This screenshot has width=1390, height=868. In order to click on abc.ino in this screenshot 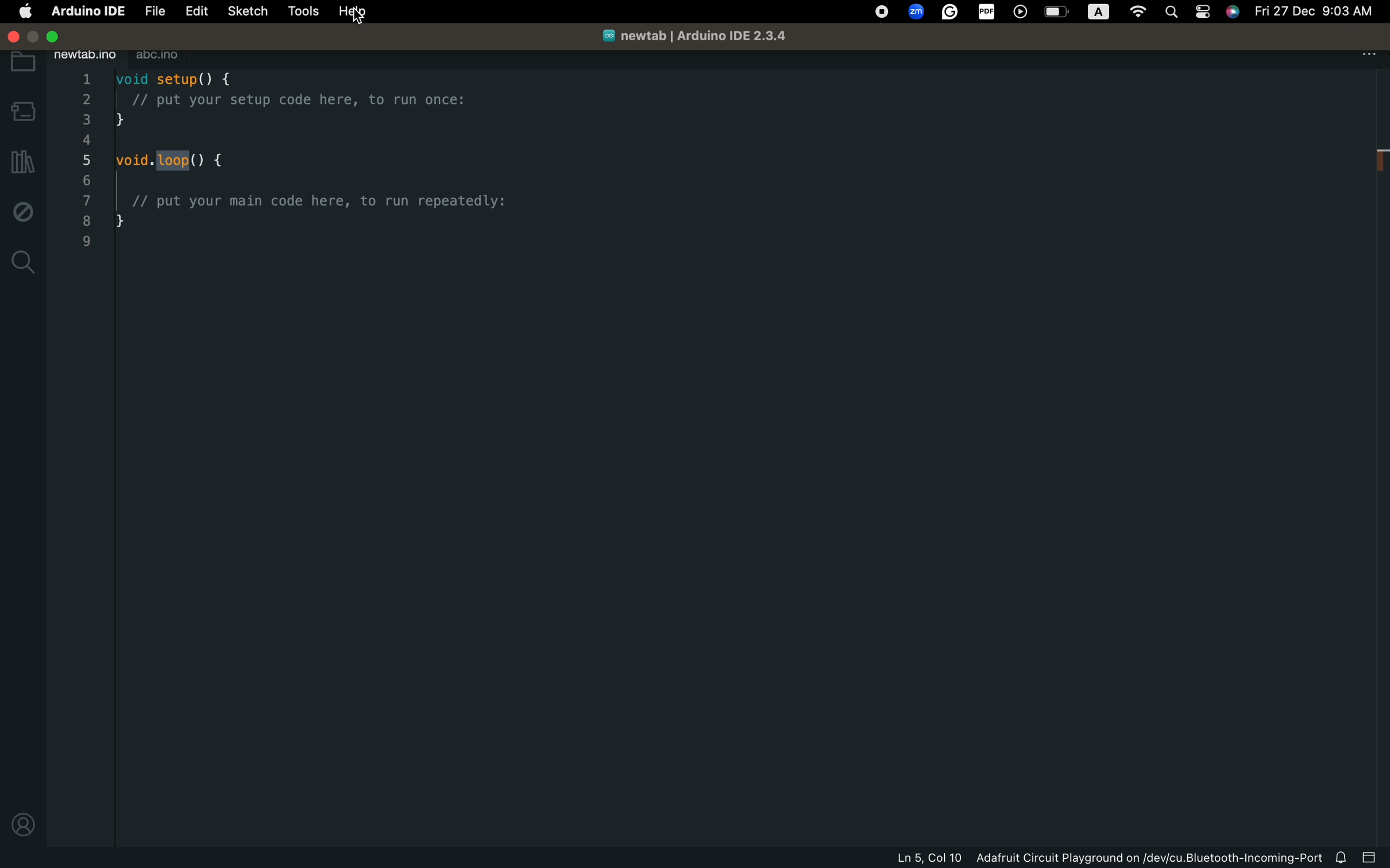, I will do `click(157, 55)`.